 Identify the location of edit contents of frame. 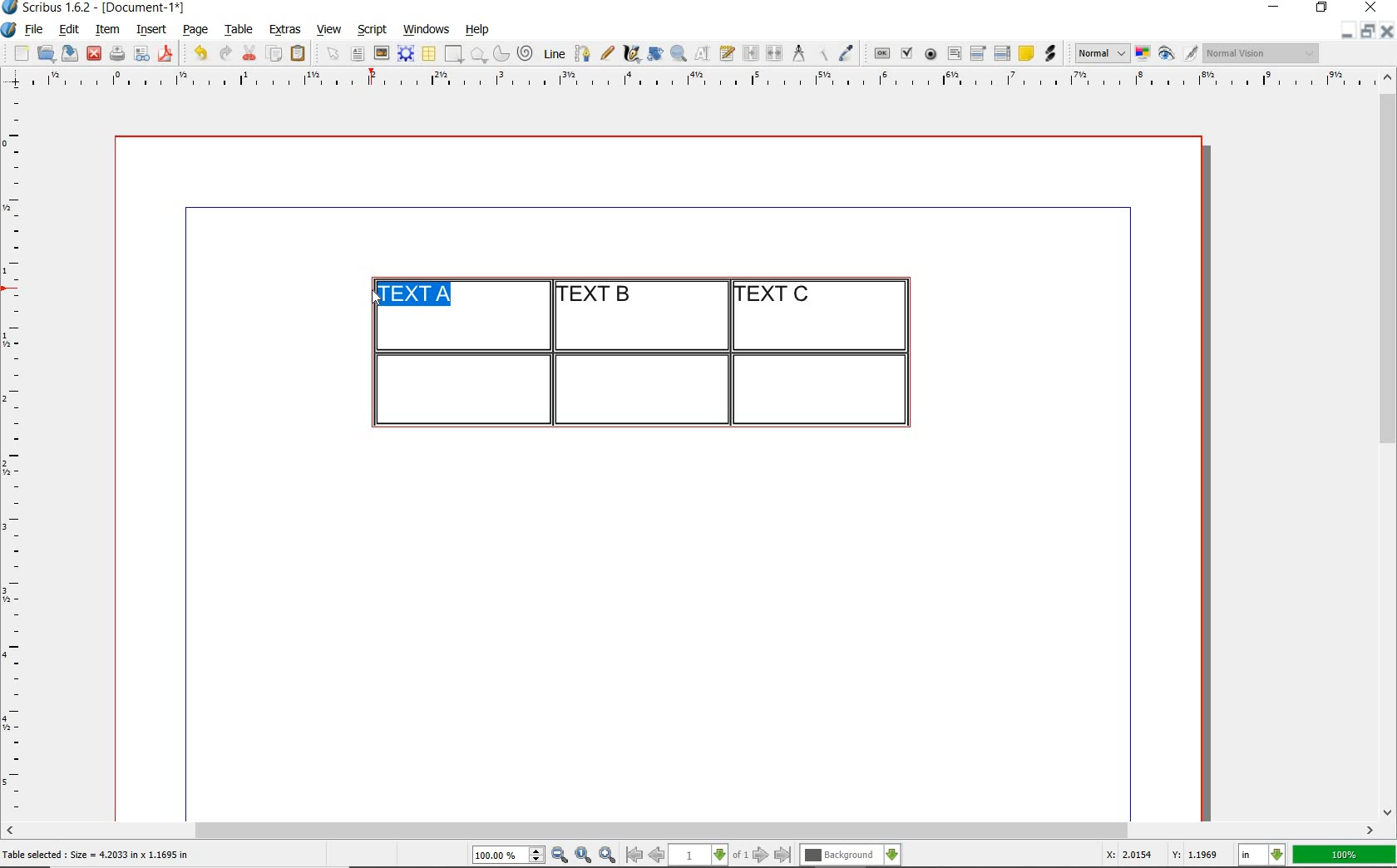
(703, 52).